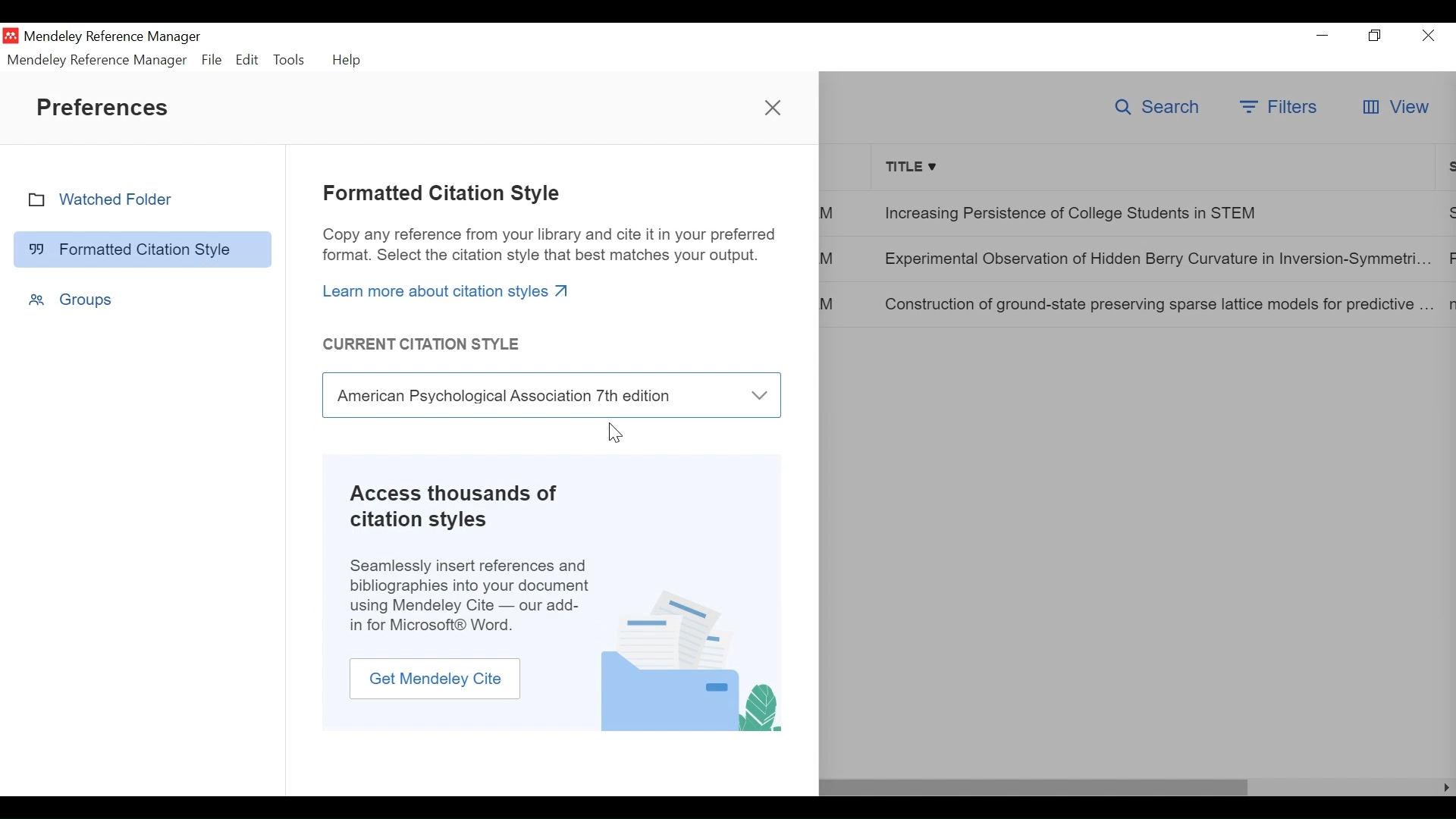  Describe the element at coordinates (443, 194) in the screenshot. I see `Formatted Citation Style` at that location.